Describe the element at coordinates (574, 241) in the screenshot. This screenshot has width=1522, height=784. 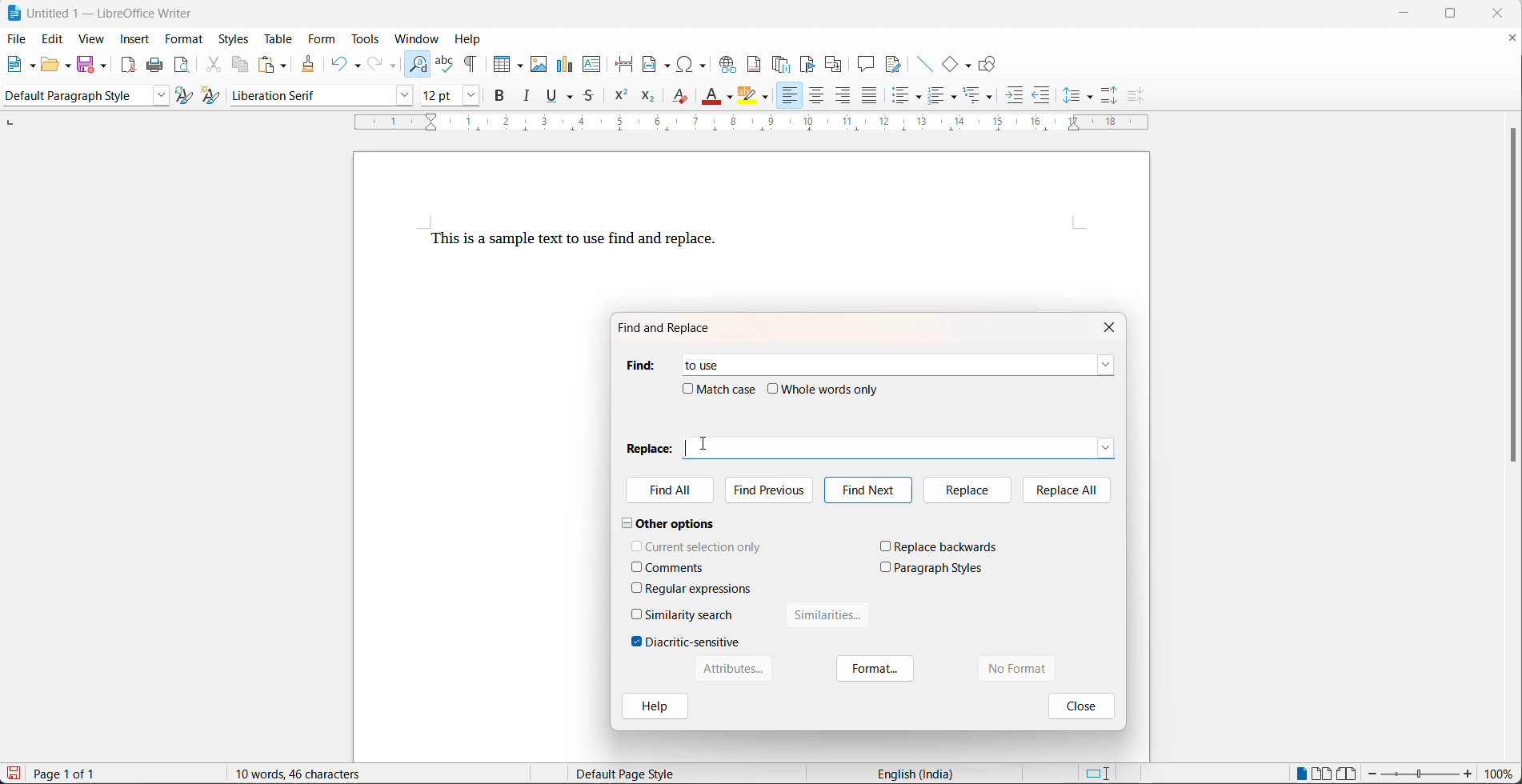
I see `This is a sample text to use find and replace.` at that location.